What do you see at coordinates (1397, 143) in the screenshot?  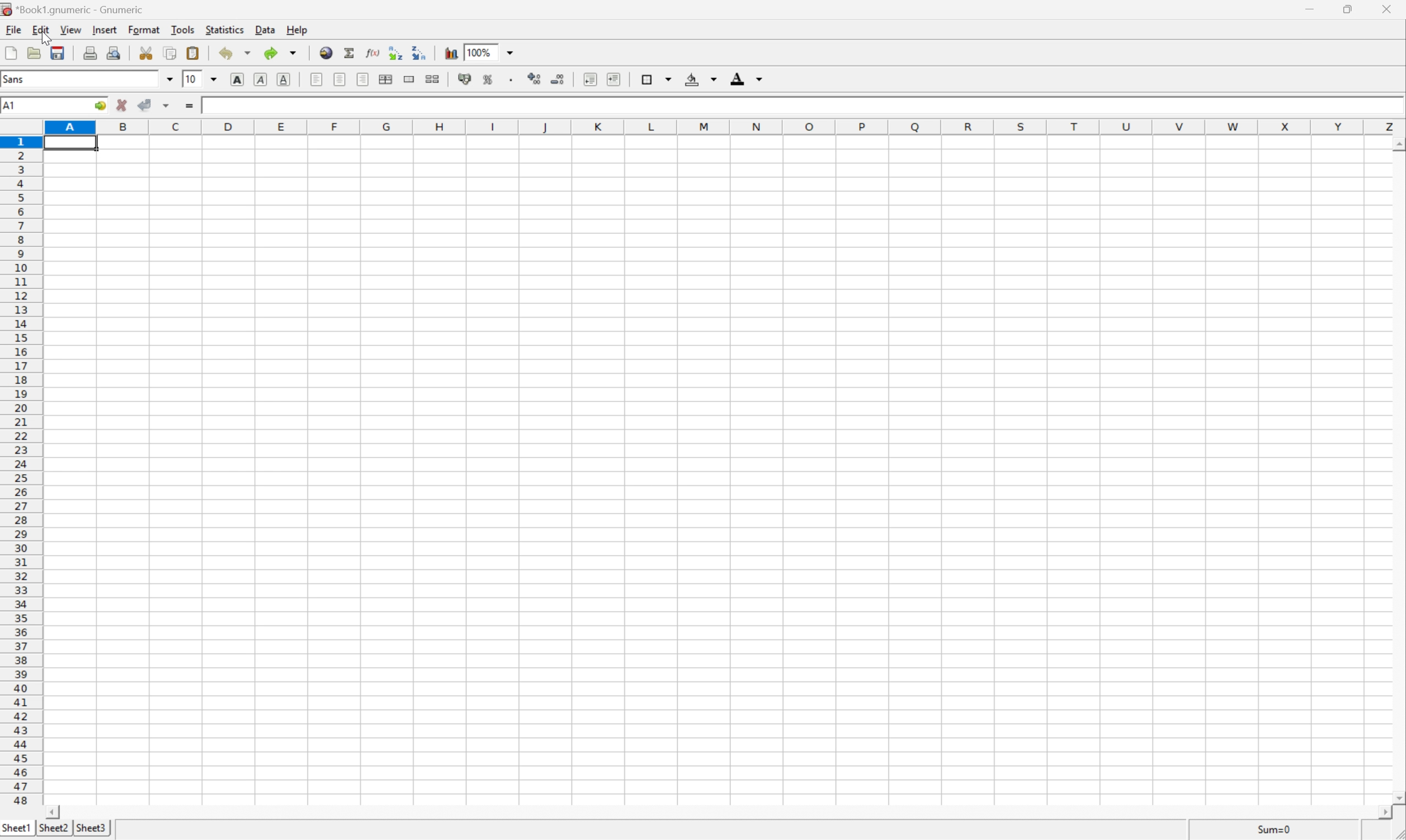 I see `scroll up` at bounding box center [1397, 143].